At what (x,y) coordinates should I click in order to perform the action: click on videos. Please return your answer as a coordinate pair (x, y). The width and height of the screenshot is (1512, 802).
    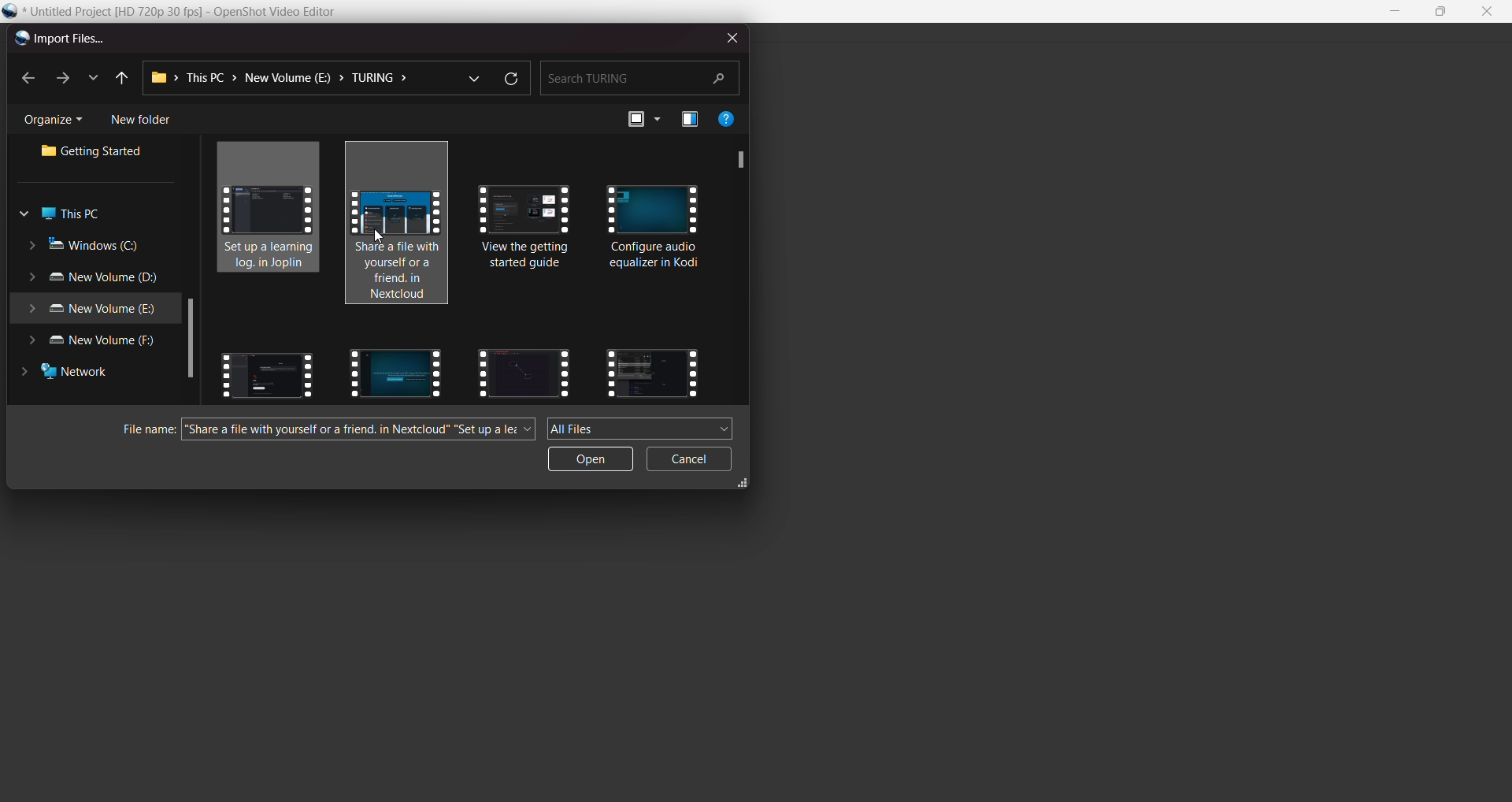
    Looking at the image, I should click on (652, 371).